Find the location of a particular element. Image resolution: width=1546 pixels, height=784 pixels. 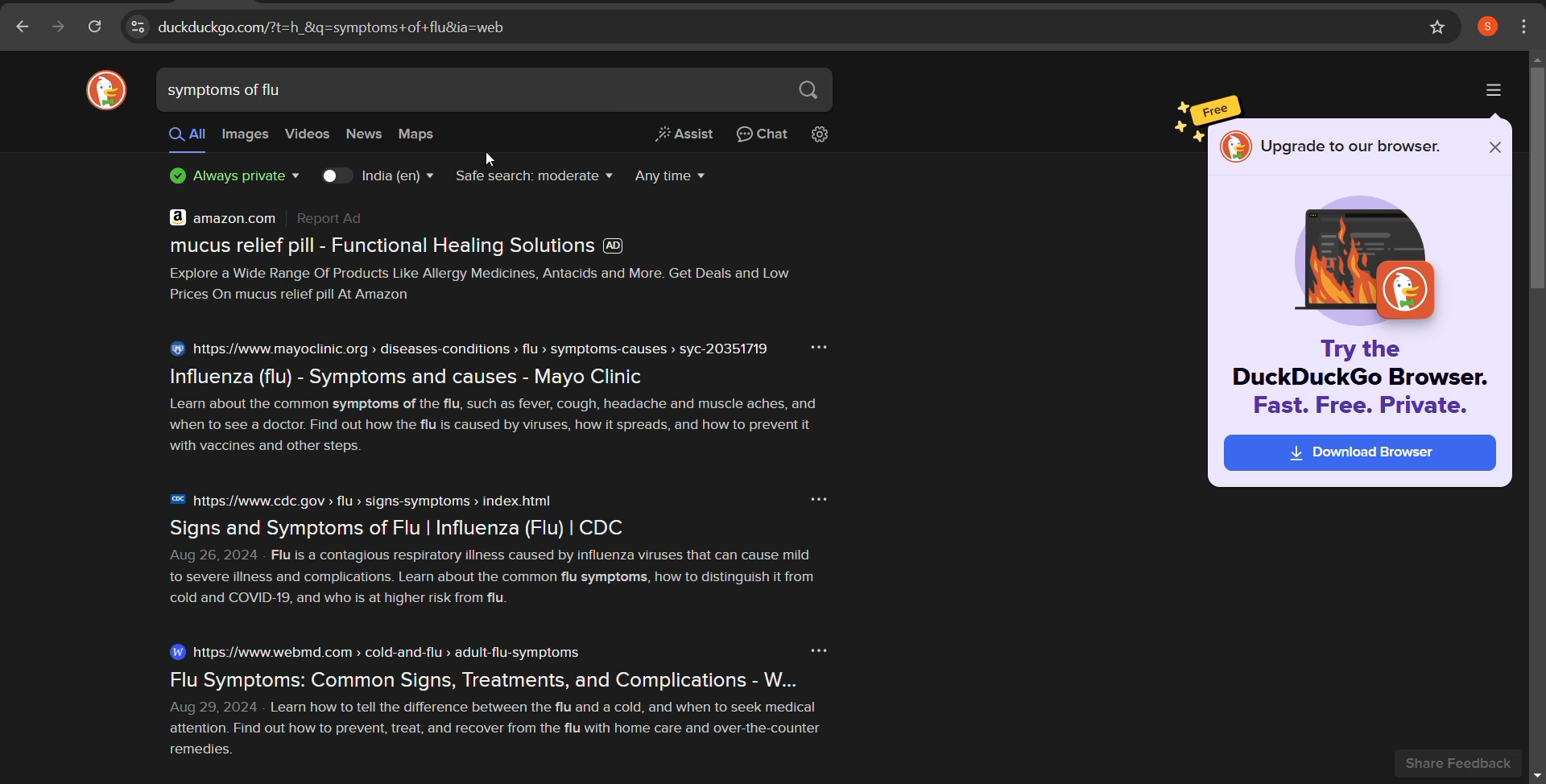

upgrade to our browser is located at coordinates (1354, 147).